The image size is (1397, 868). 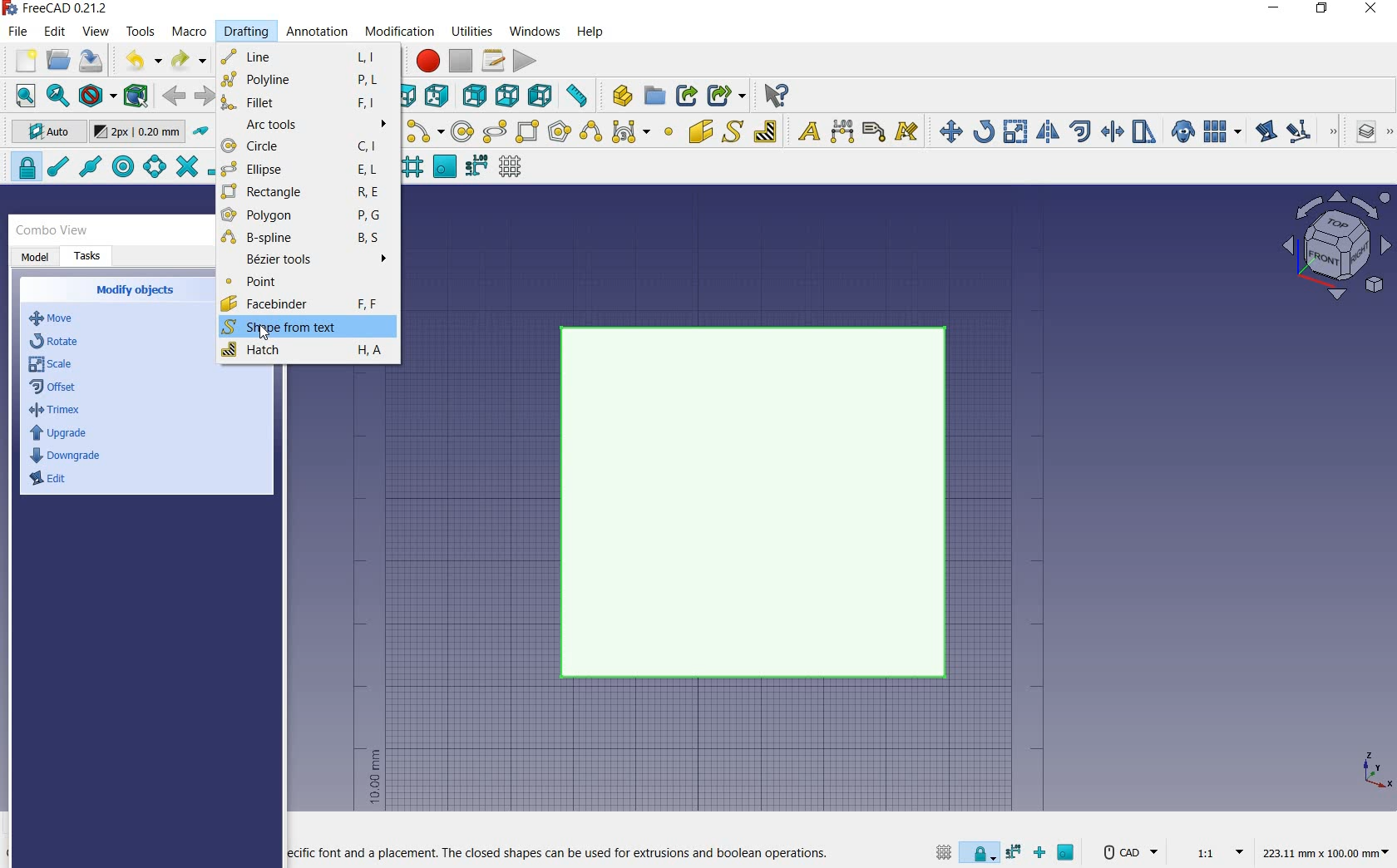 I want to click on what's this?, so click(x=775, y=96).